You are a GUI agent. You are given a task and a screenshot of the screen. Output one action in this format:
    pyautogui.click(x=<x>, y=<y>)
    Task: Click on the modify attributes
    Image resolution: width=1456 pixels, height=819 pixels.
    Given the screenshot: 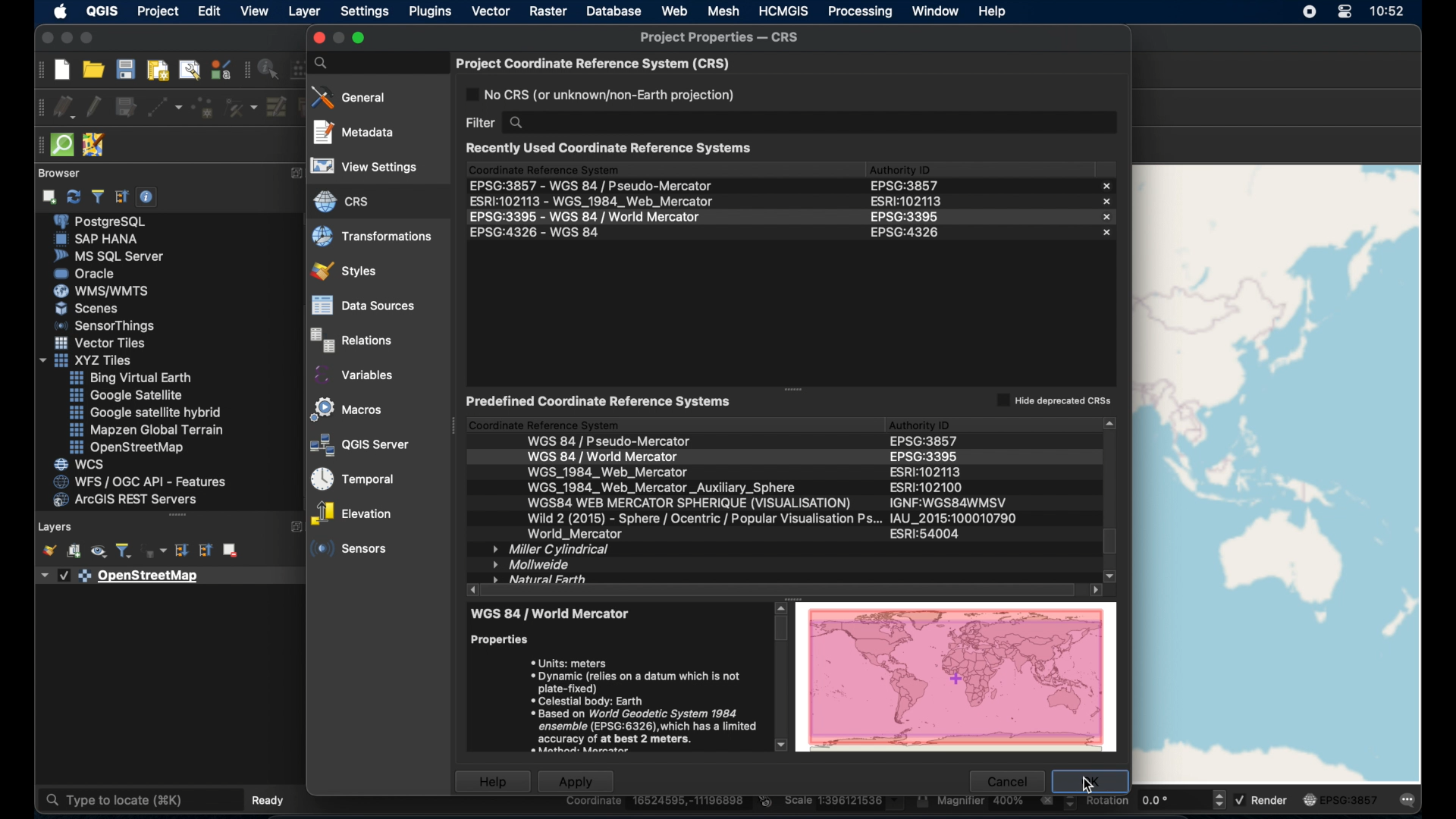 What is the action you would take?
    pyautogui.click(x=277, y=109)
    